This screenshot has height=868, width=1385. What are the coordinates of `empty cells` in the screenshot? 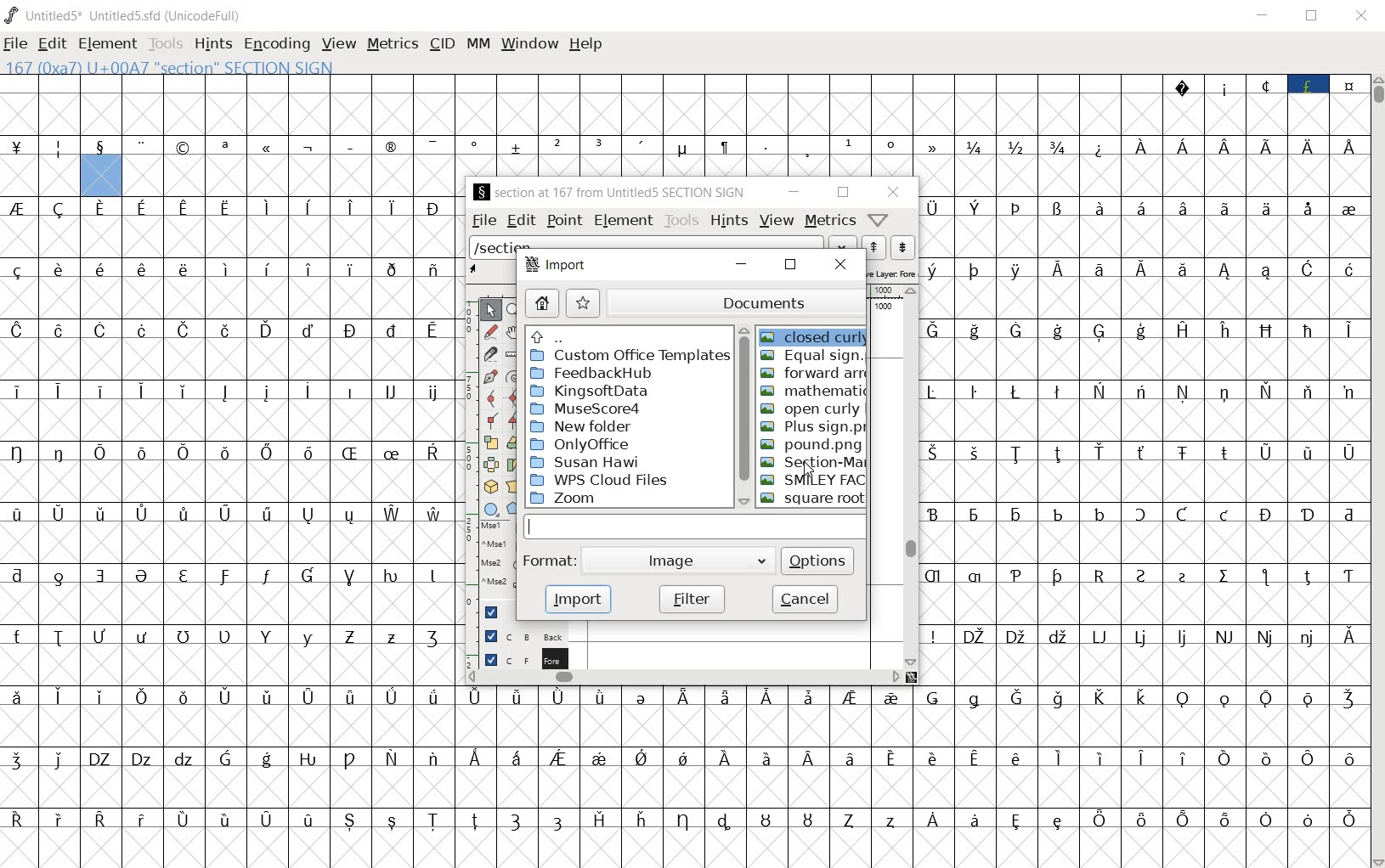 It's located at (234, 299).